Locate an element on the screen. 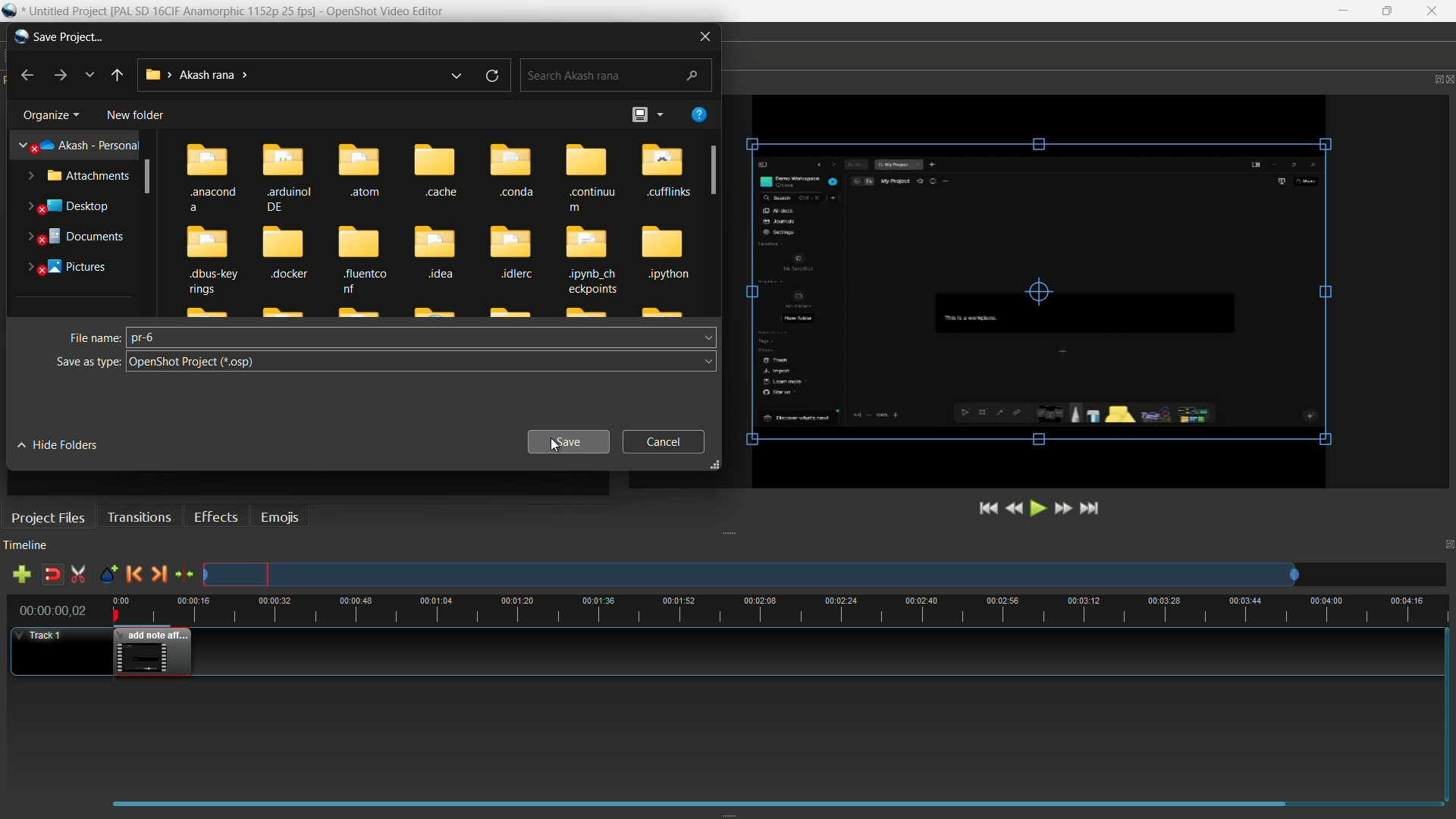 The width and height of the screenshot is (1456, 819). close app is located at coordinates (1434, 11).